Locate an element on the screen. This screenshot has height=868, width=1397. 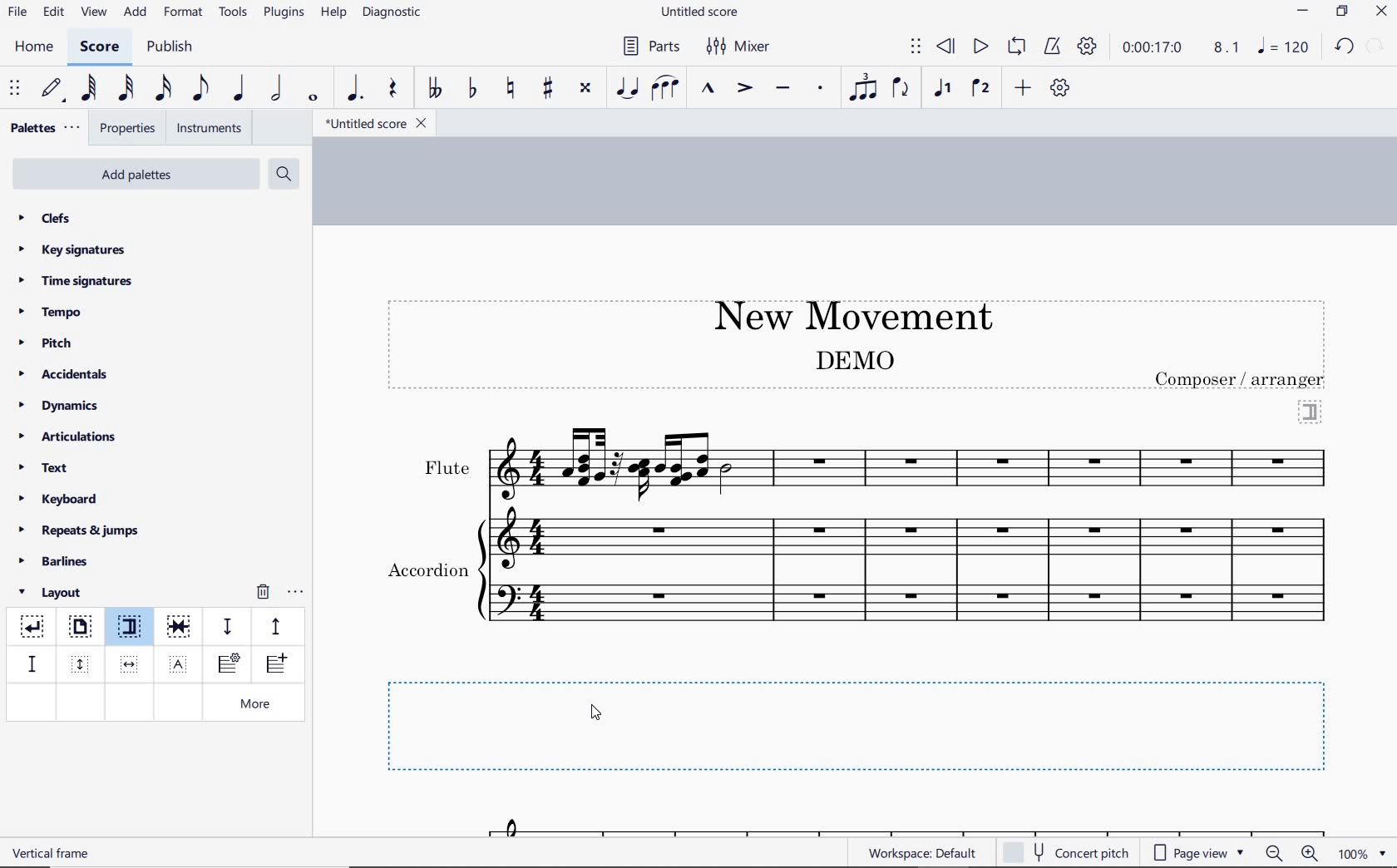
restore down is located at coordinates (1343, 12).